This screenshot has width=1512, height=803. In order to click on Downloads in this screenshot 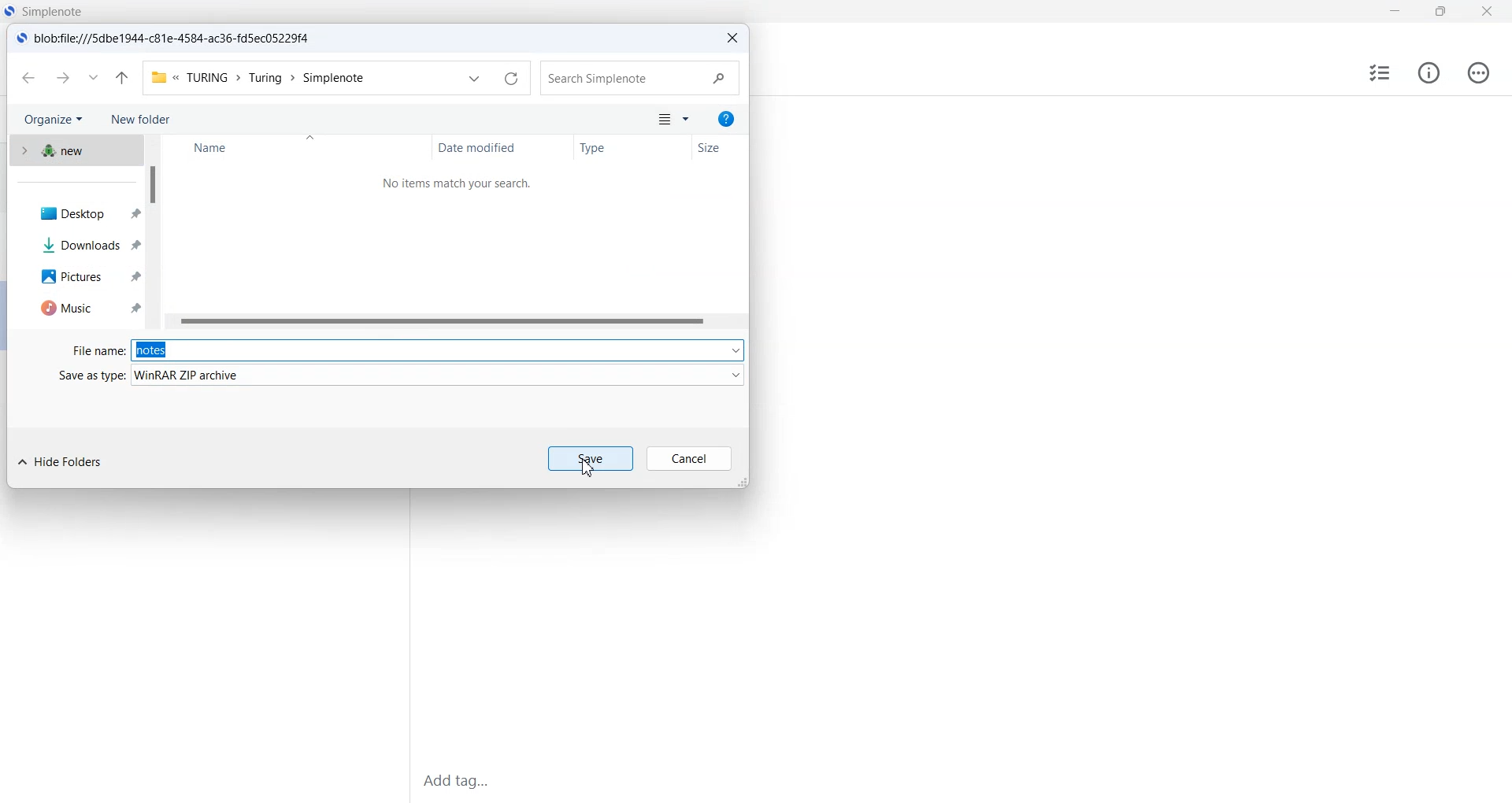, I will do `click(83, 242)`.